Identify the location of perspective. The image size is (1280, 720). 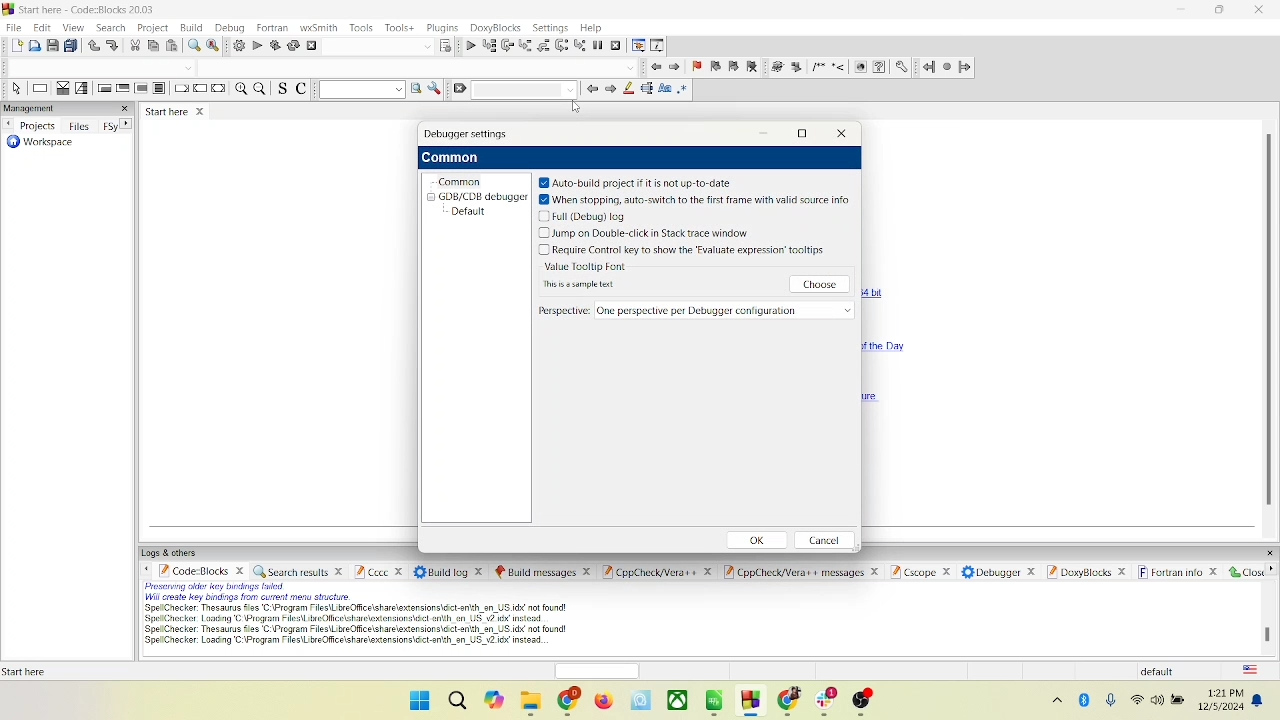
(694, 311).